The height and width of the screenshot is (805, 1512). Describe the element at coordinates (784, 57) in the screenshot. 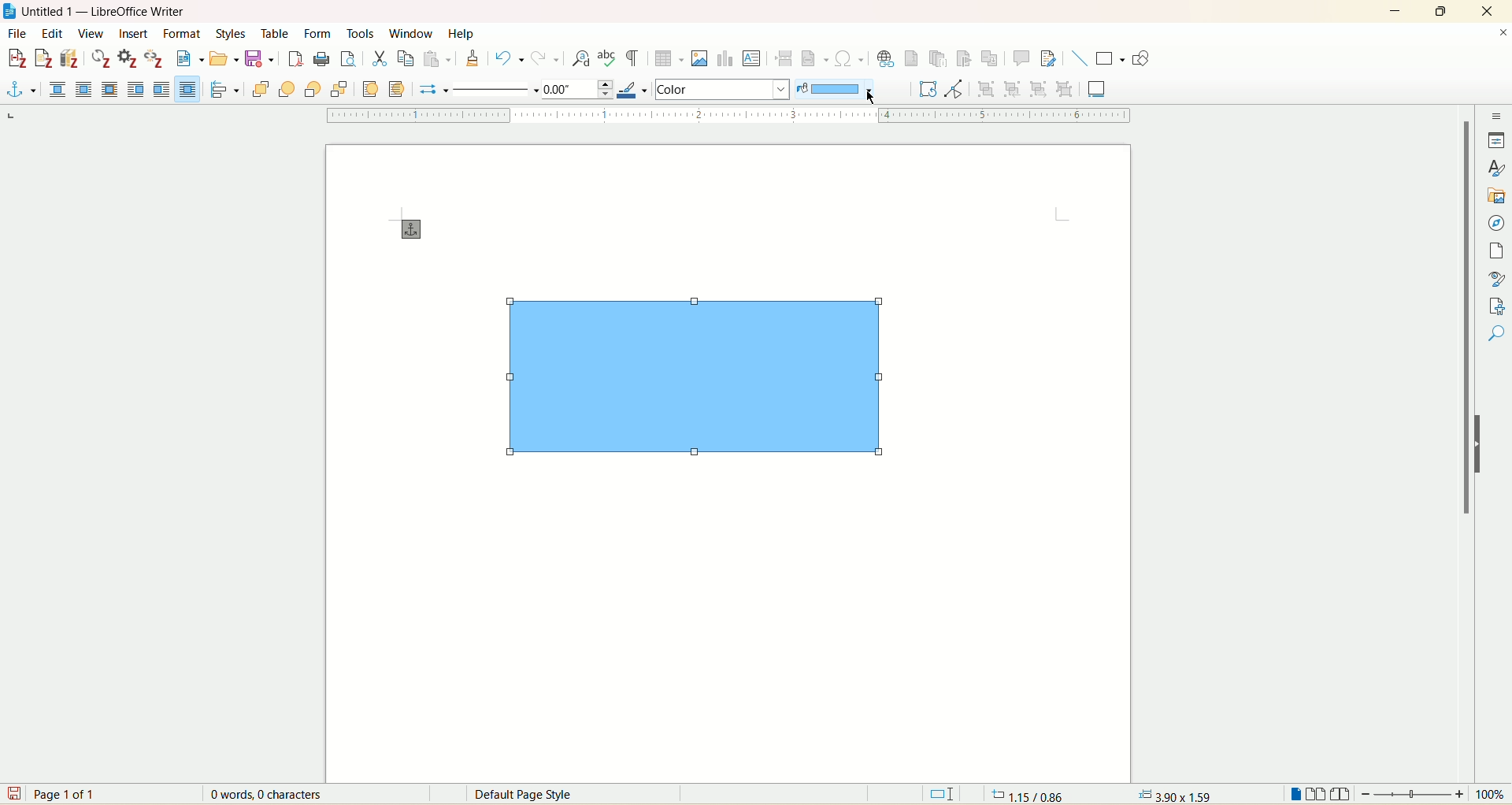

I see `insert page break` at that location.